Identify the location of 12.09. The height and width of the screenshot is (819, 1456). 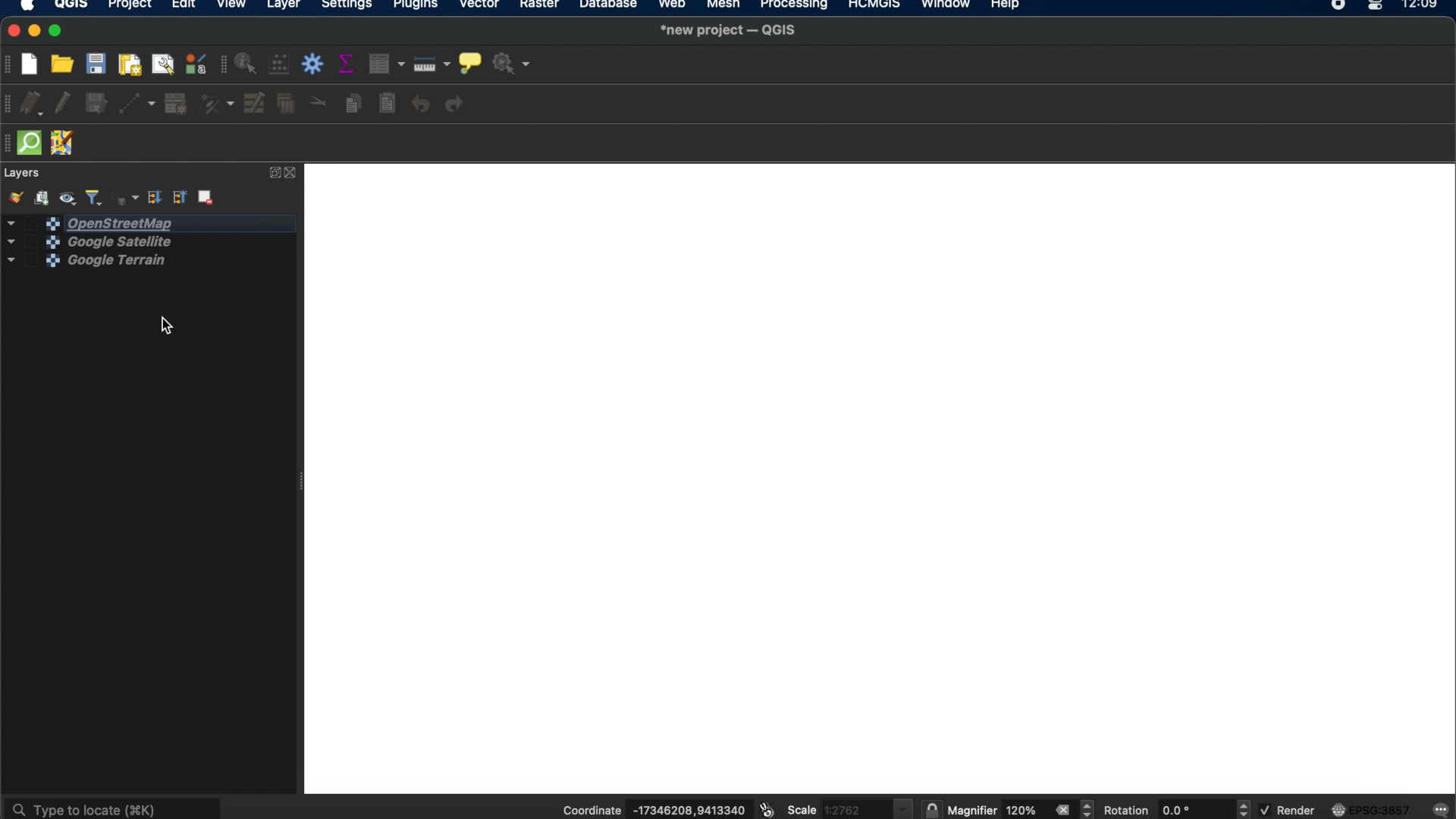
(1426, 6).